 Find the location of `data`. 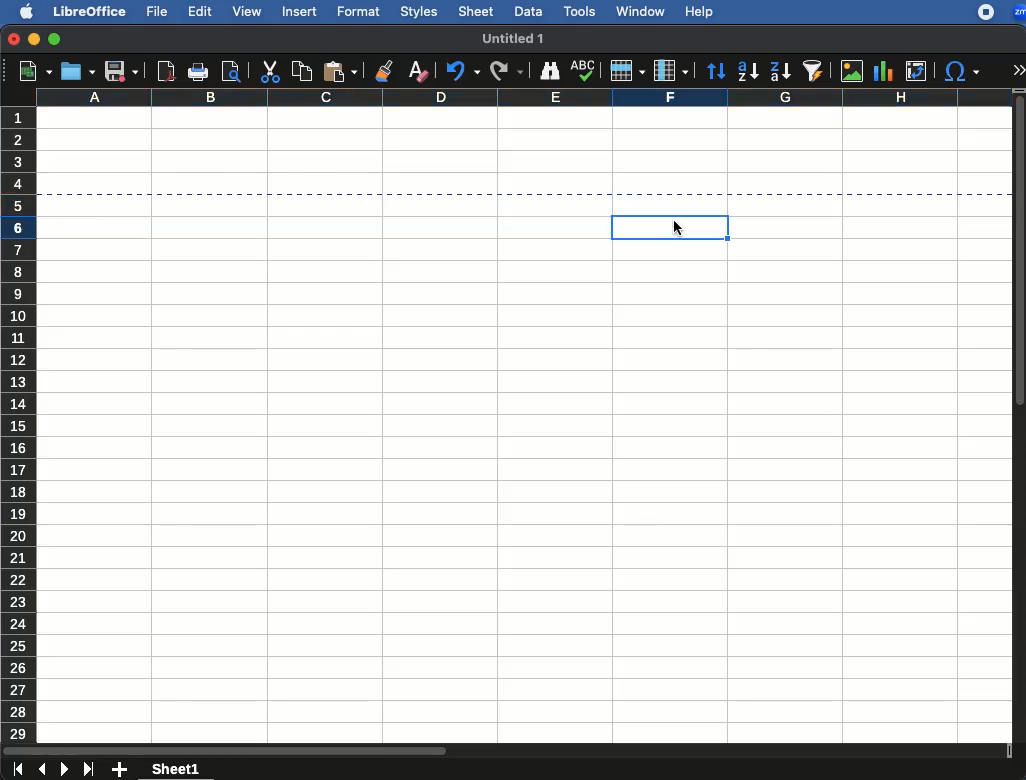

data is located at coordinates (528, 11).